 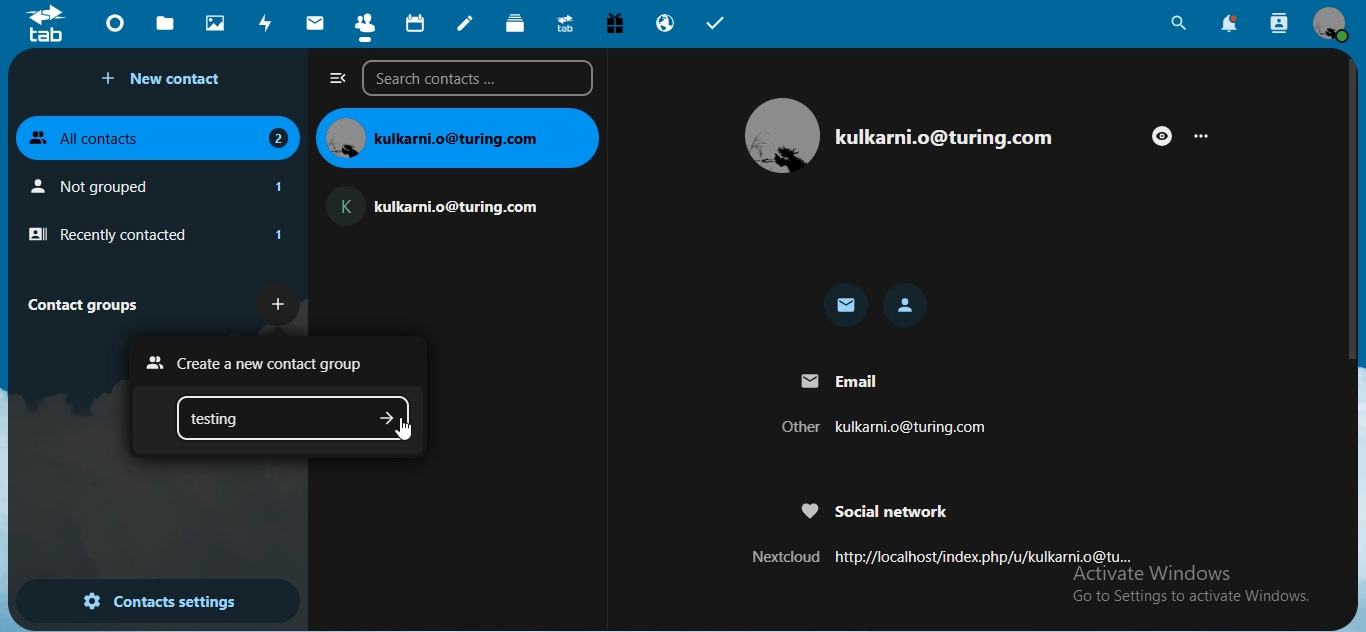 What do you see at coordinates (261, 363) in the screenshot?
I see `create a new contact group` at bounding box center [261, 363].